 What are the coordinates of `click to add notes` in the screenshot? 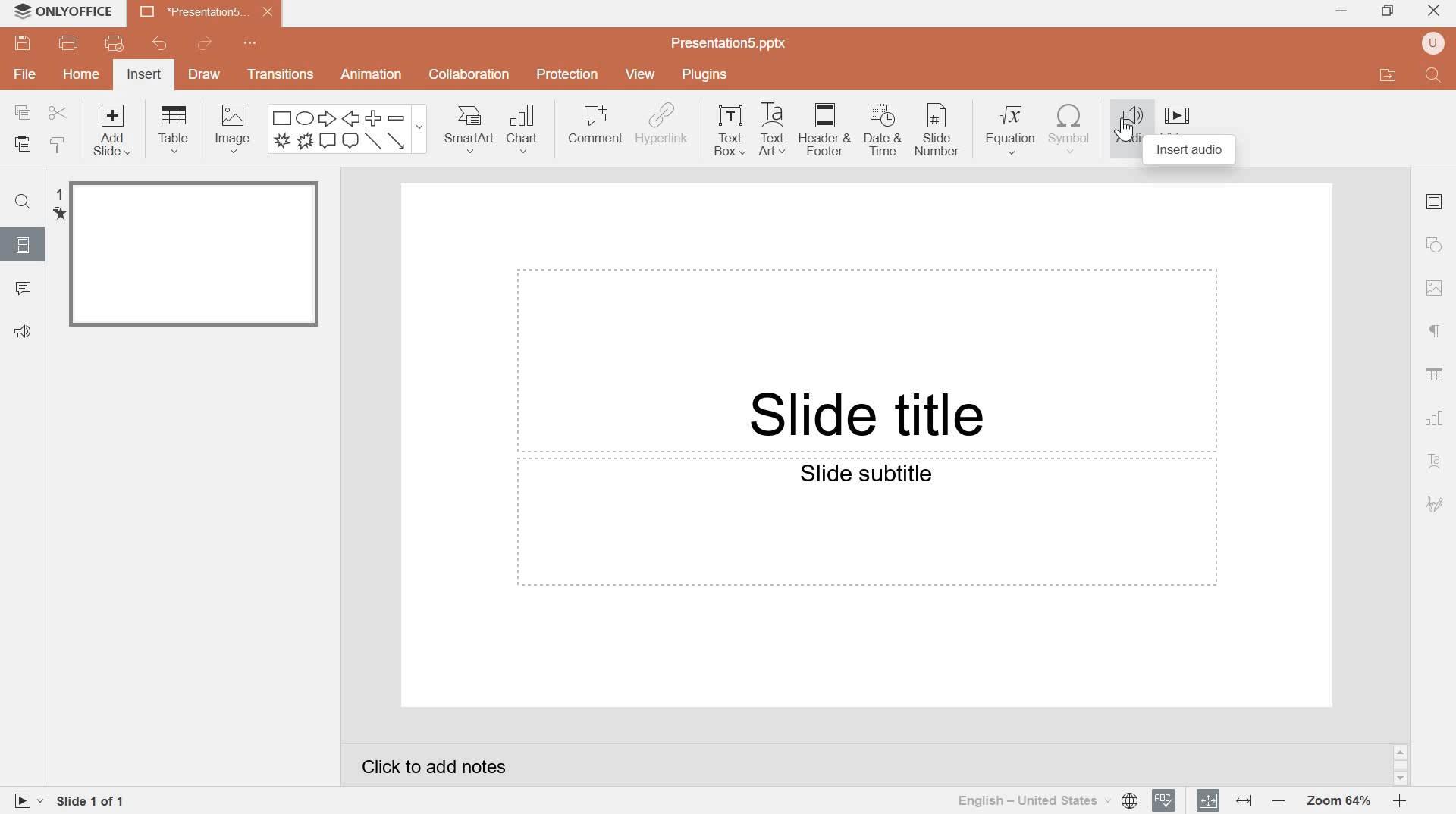 It's located at (435, 767).